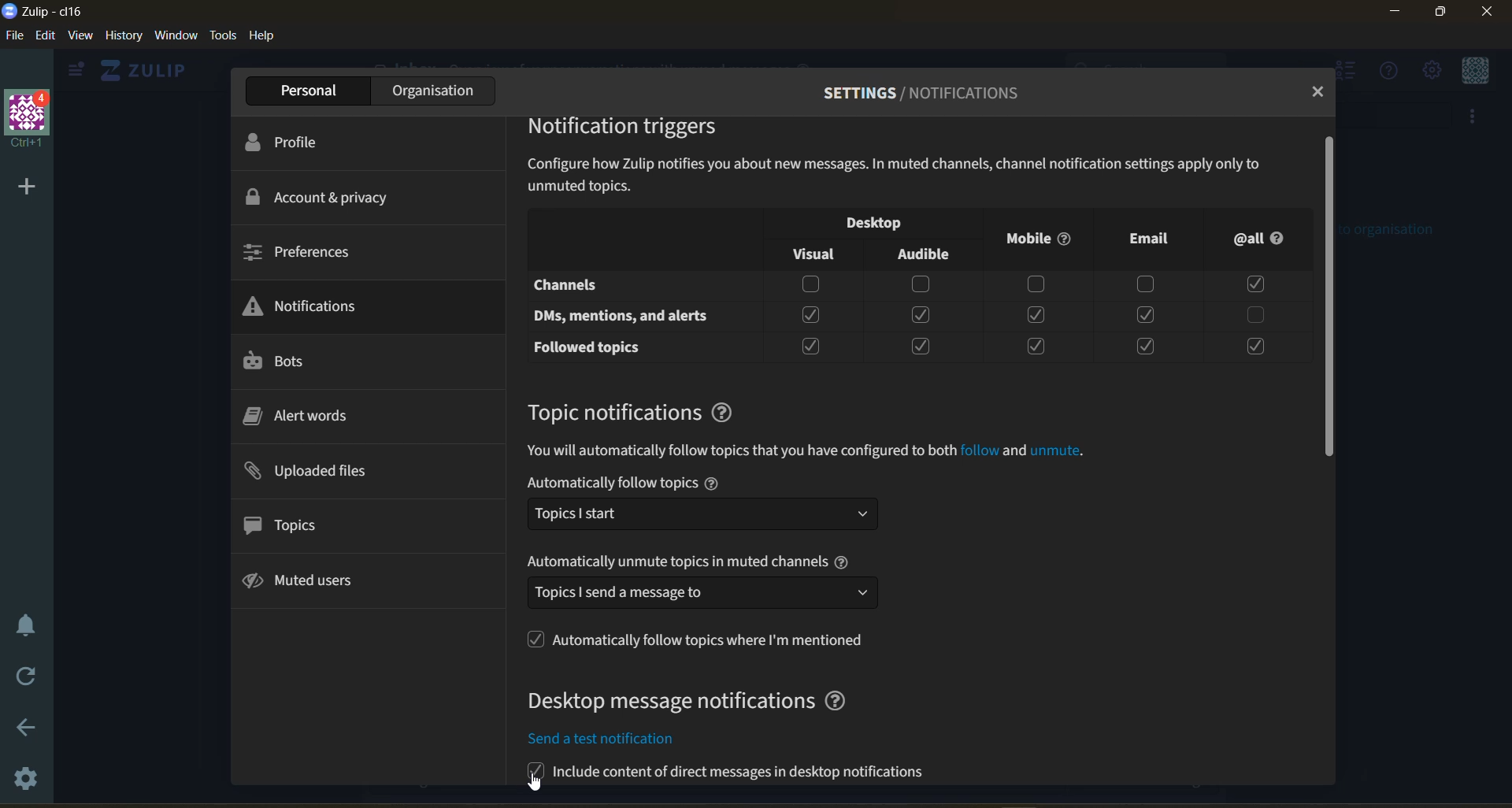 The width and height of the screenshot is (1512, 808). Describe the element at coordinates (13, 35) in the screenshot. I see `file` at that location.